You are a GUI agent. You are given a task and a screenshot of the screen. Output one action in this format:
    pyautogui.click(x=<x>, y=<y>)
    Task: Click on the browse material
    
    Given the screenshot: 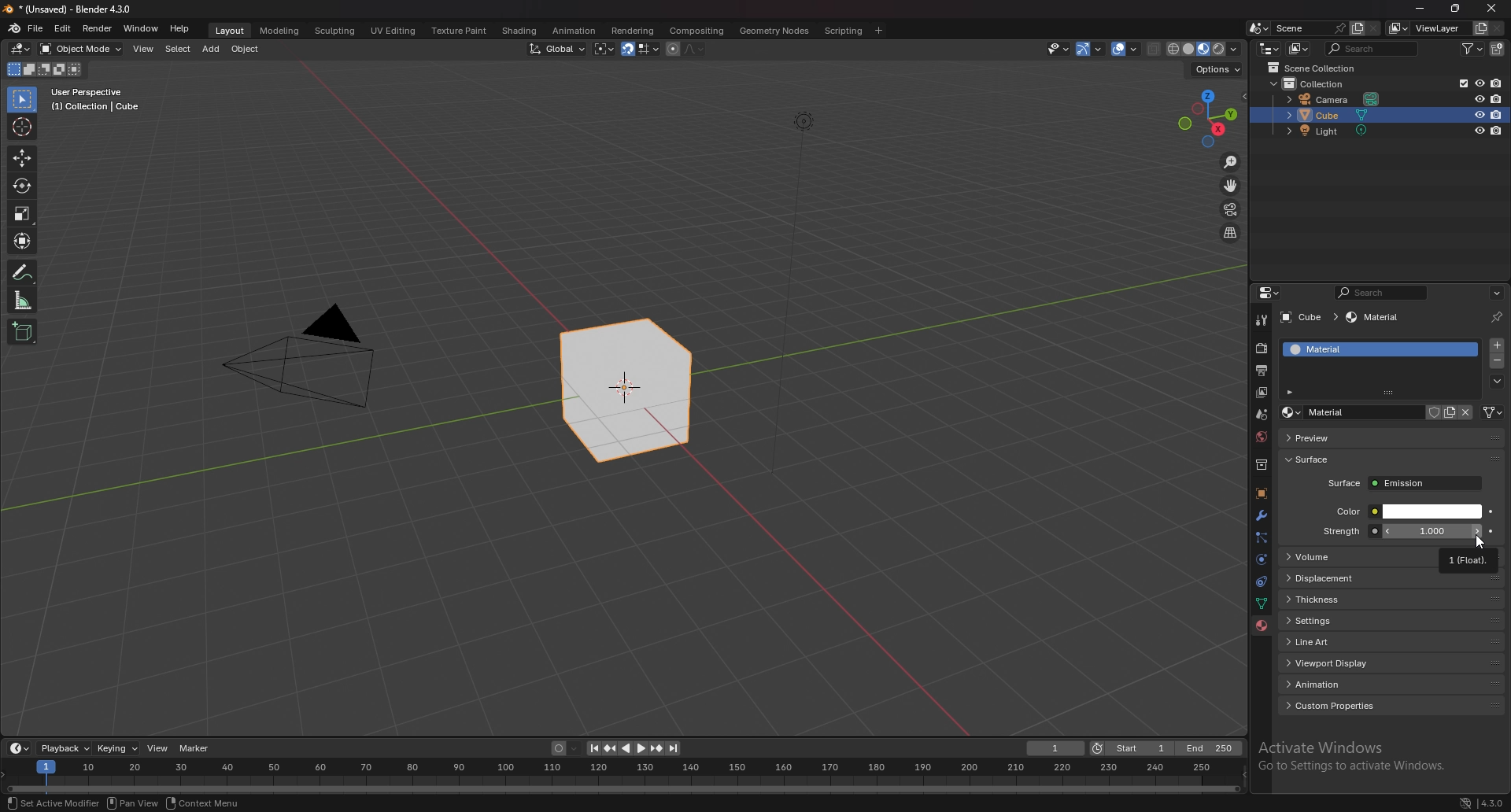 What is the action you would take?
    pyautogui.click(x=1291, y=412)
    